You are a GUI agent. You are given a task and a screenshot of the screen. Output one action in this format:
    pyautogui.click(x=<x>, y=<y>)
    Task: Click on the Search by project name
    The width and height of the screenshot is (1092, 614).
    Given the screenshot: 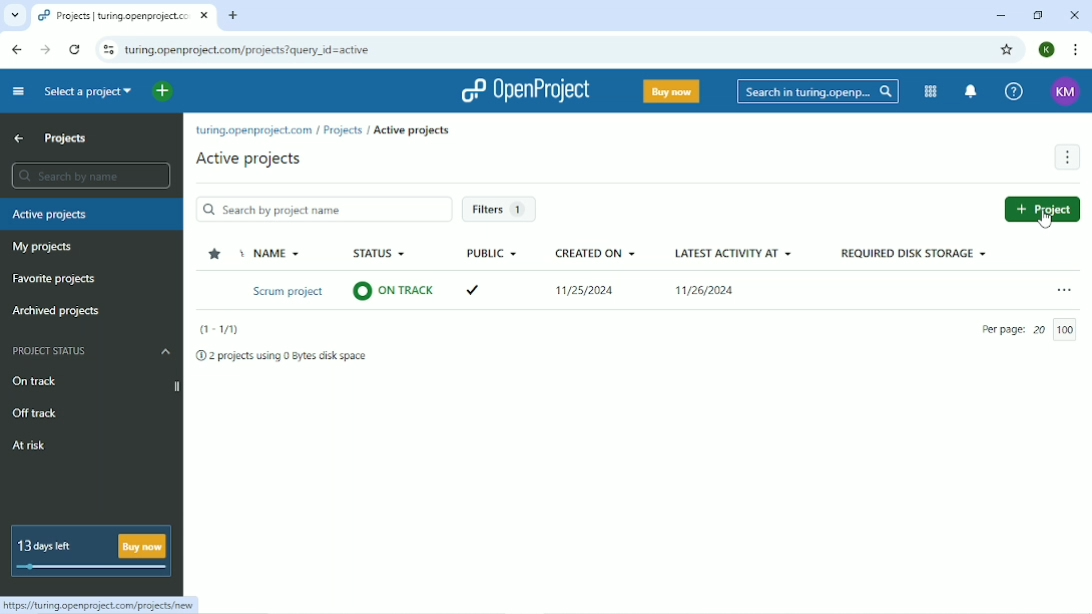 What is the action you would take?
    pyautogui.click(x=324, y=208)
    